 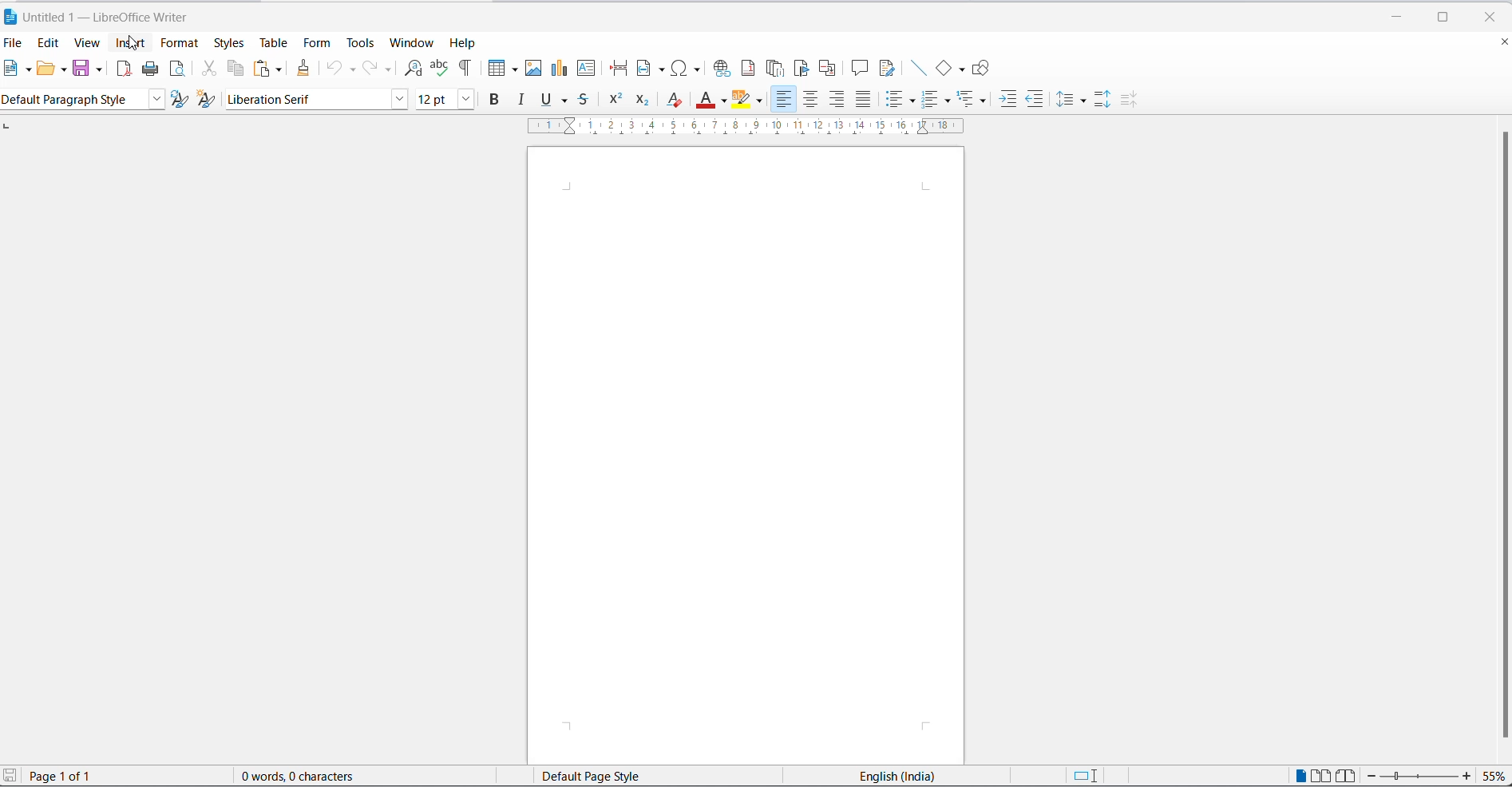 What do you see at coordinates (136, 44) in the screenshot?
I see `cursor` at bounding box center [136, 44].